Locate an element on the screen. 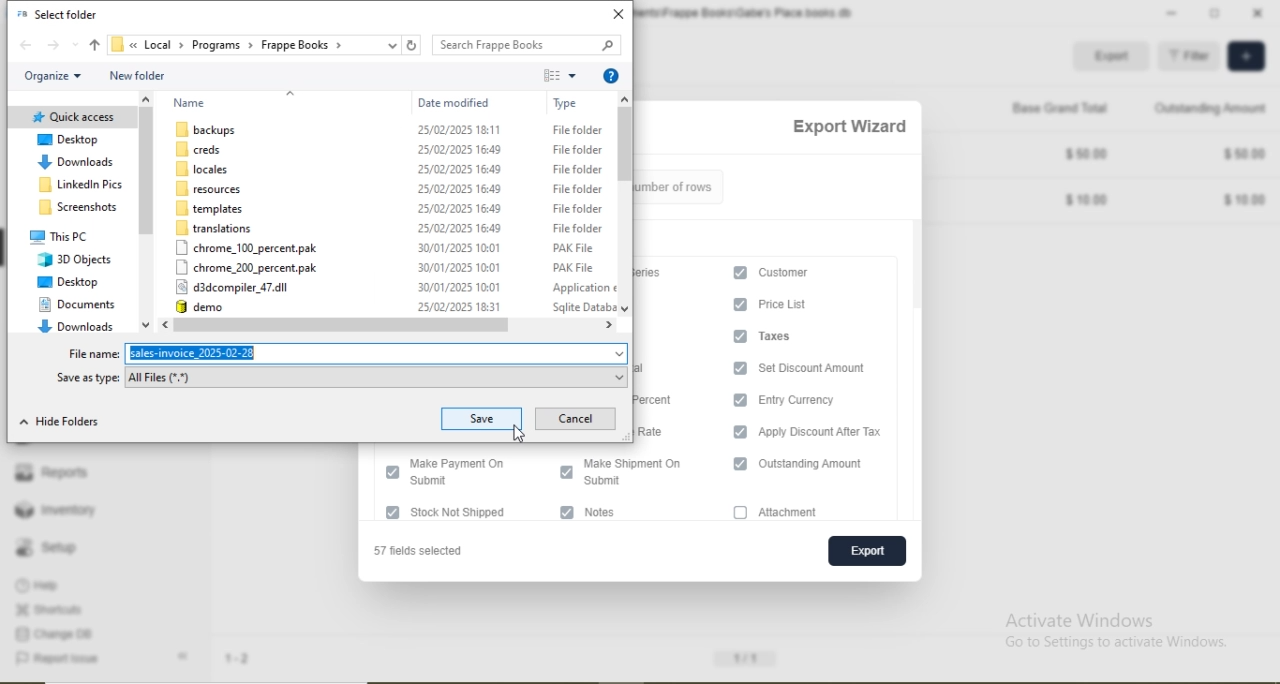 The height and width of the screenshot is (684, 1280).  is located at coordinates (207, 169).